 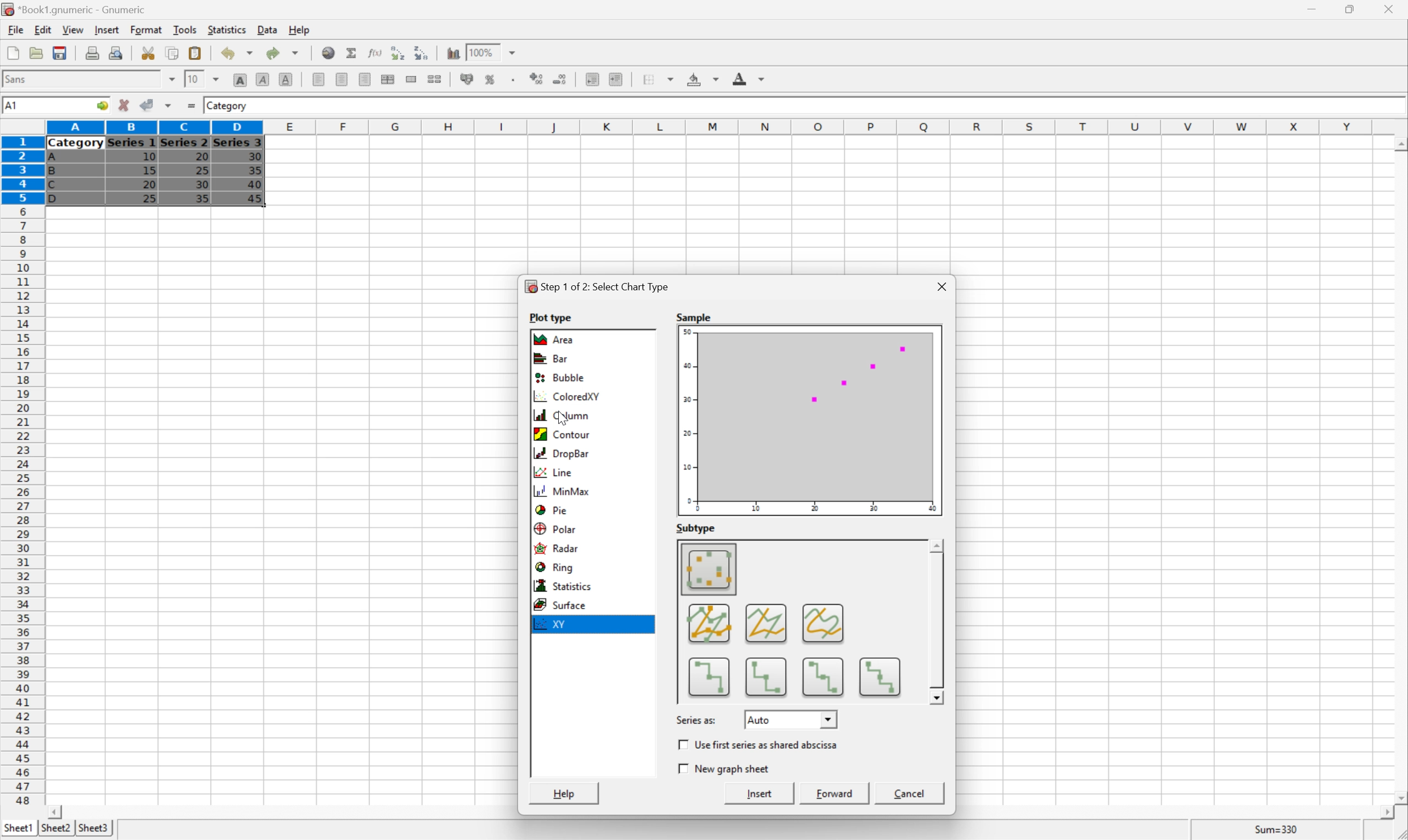 I want to click on Print preview, so click(x=117, y=53).